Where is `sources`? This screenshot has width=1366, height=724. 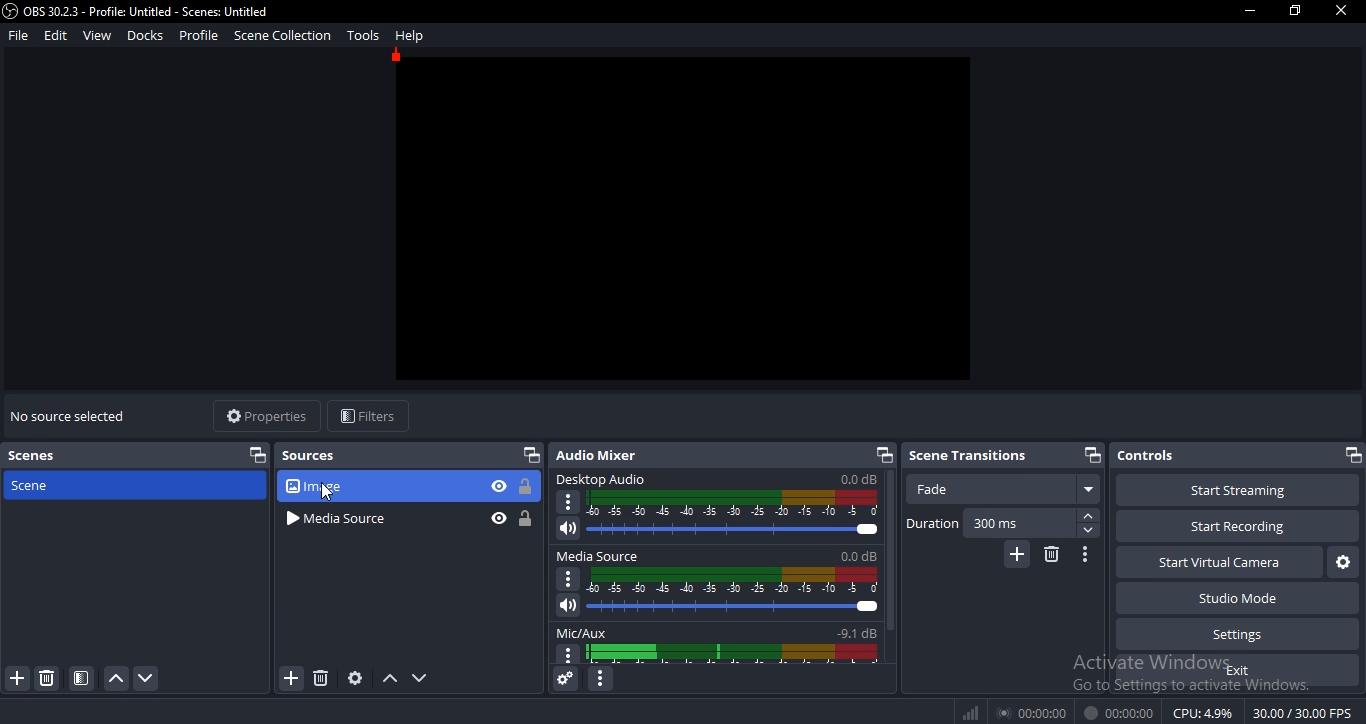 sources is located at coordinates (314, 458).